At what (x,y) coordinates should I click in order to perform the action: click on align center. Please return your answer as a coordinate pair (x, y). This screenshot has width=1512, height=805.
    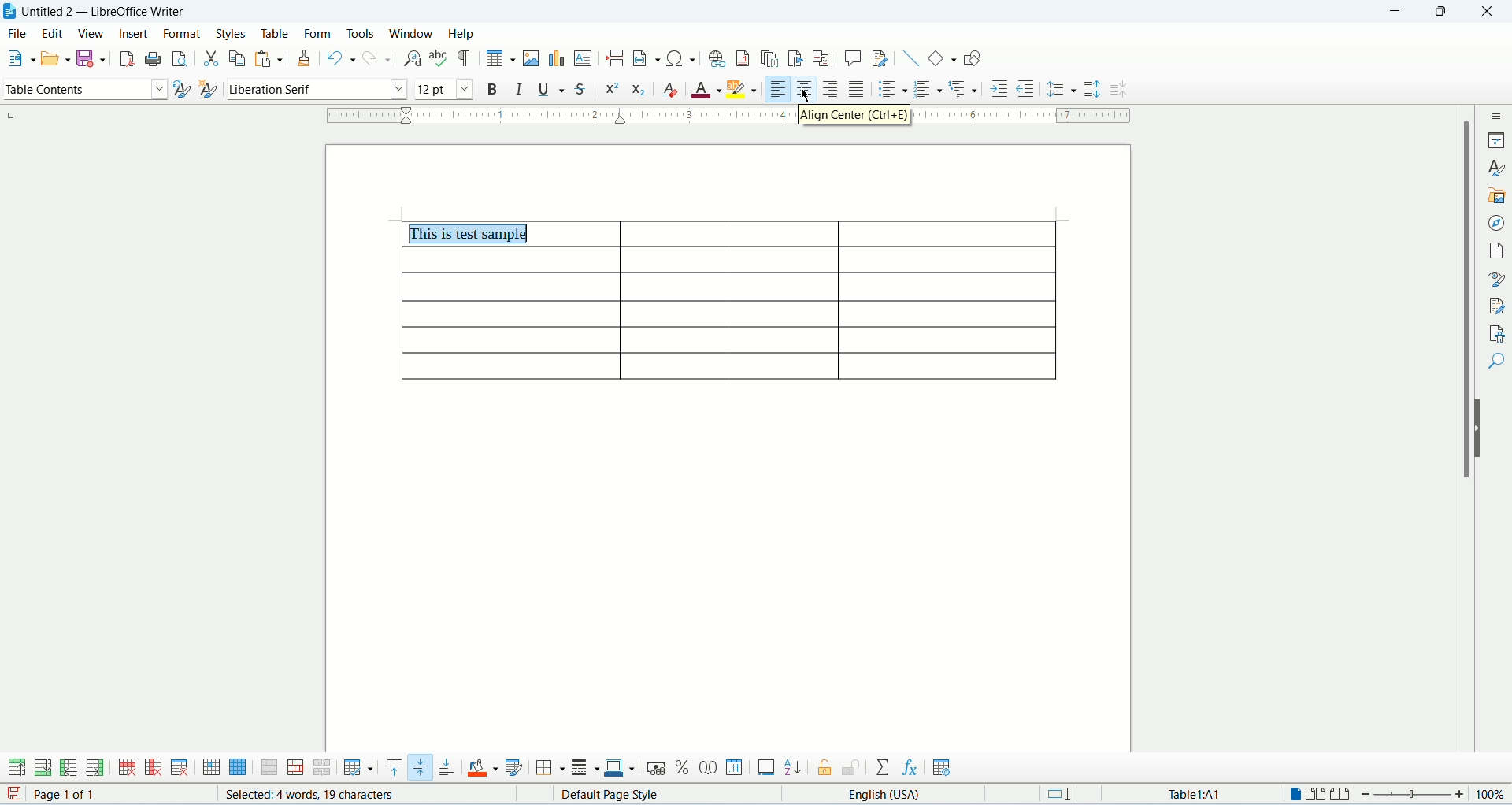
    Looking at the image, I should click on (857, 115).